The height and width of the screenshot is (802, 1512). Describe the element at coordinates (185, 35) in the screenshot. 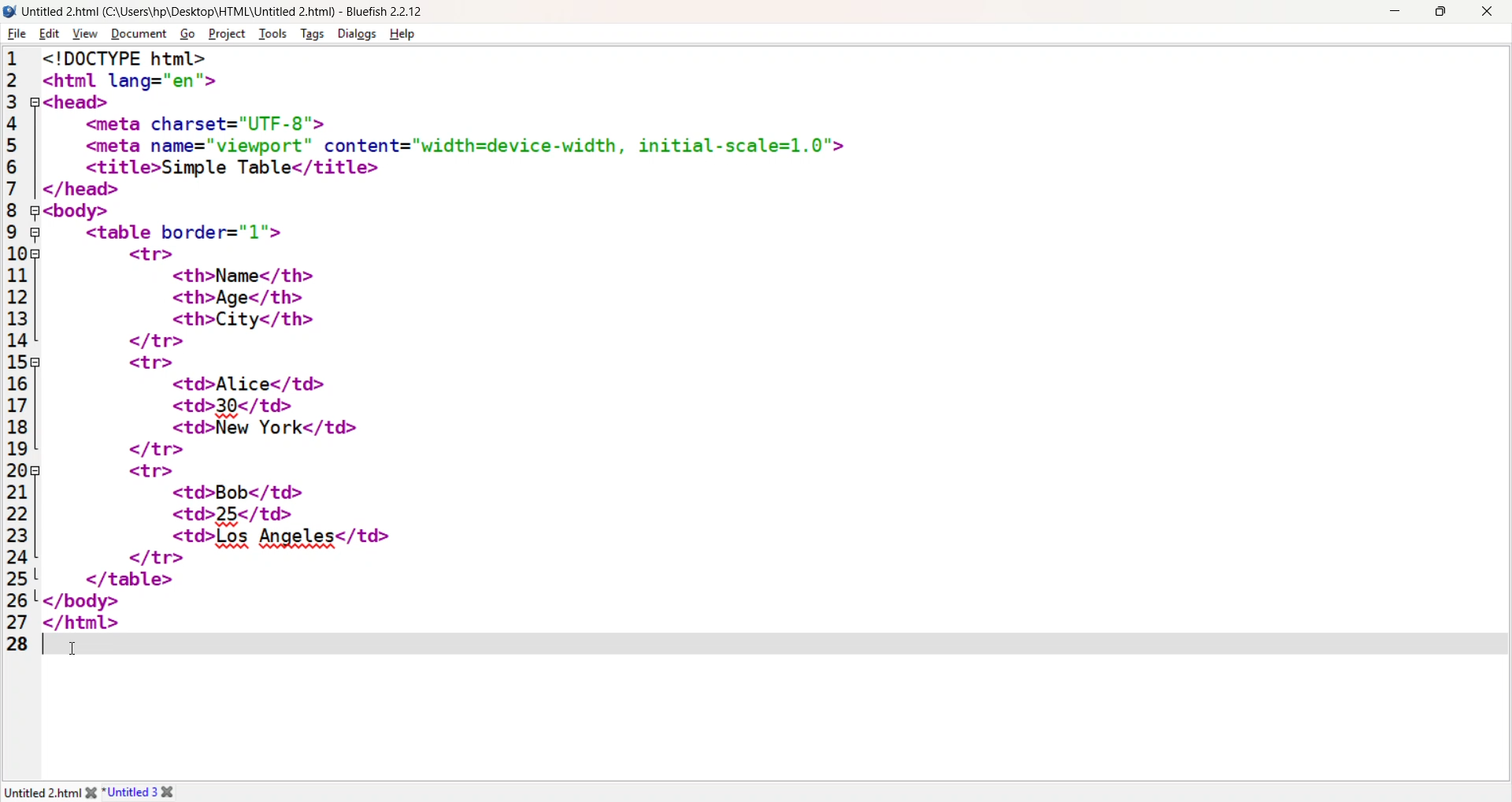

I see `Go` at that location.